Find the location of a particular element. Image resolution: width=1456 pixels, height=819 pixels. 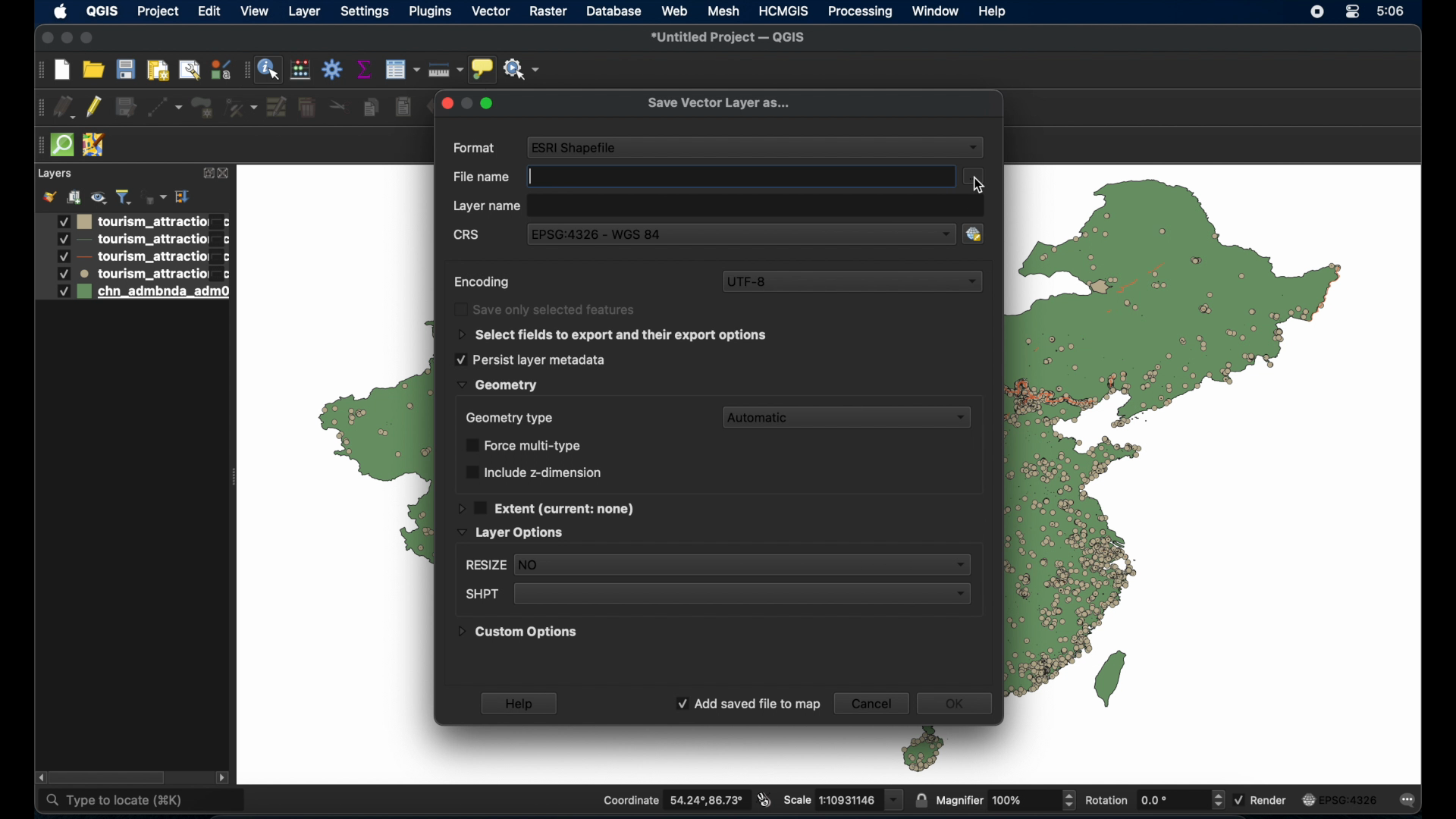

layer 4 is located at coordinates (133, 274).